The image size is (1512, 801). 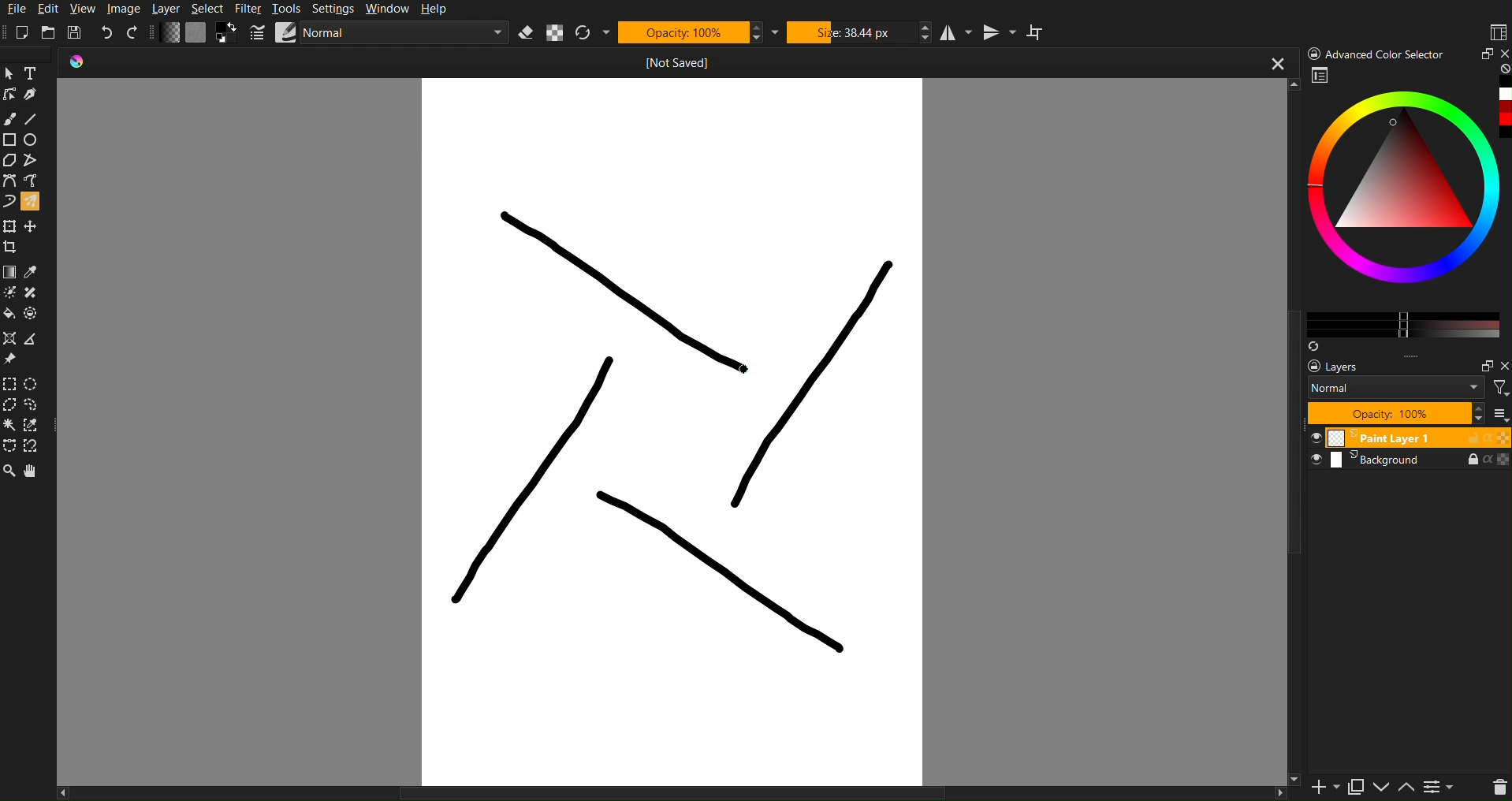 I want to click on background, so click(x=1412, y=464).